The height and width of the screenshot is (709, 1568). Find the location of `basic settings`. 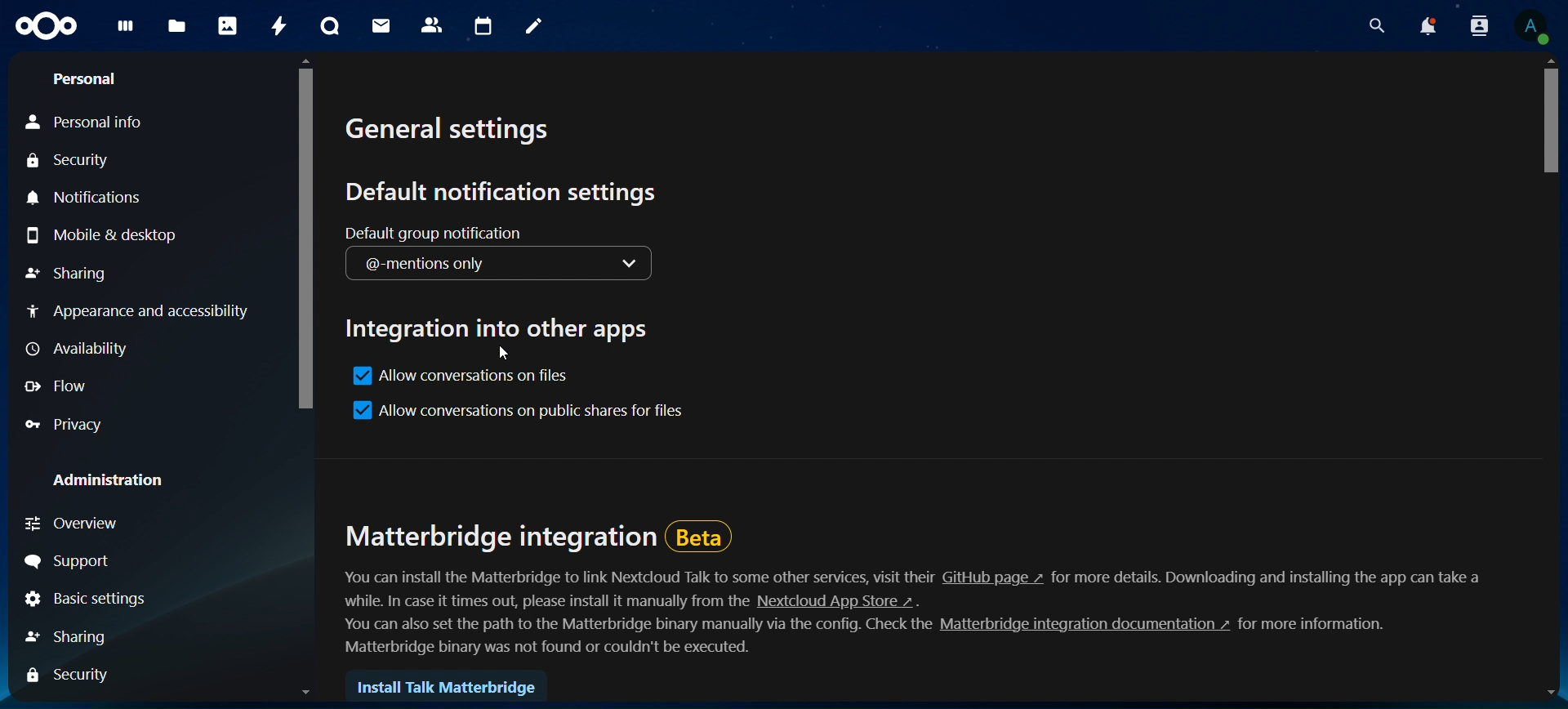

basic settings is located at coordinates (83, 598).